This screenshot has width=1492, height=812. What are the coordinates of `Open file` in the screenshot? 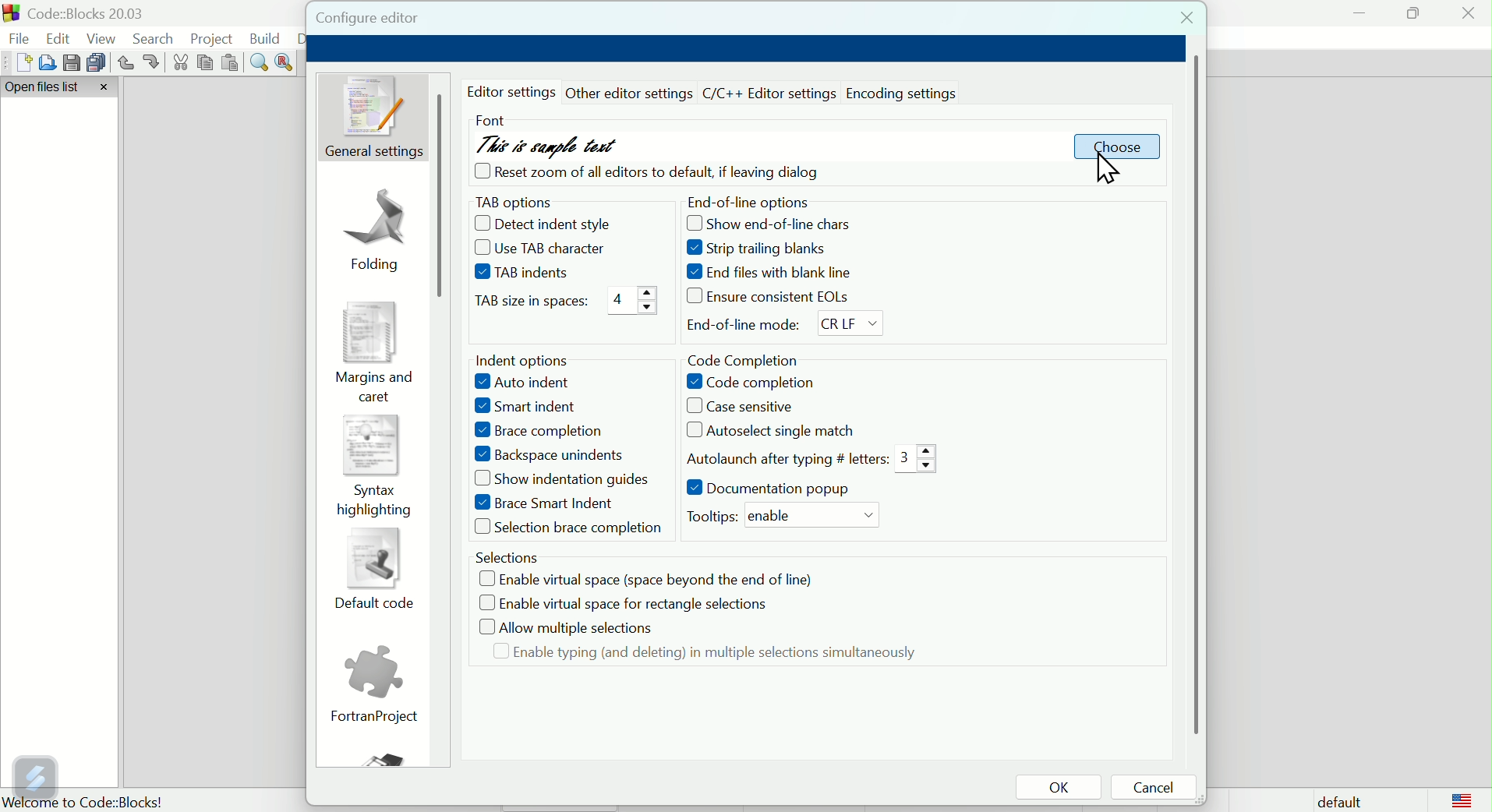 It's located at (44, 62).